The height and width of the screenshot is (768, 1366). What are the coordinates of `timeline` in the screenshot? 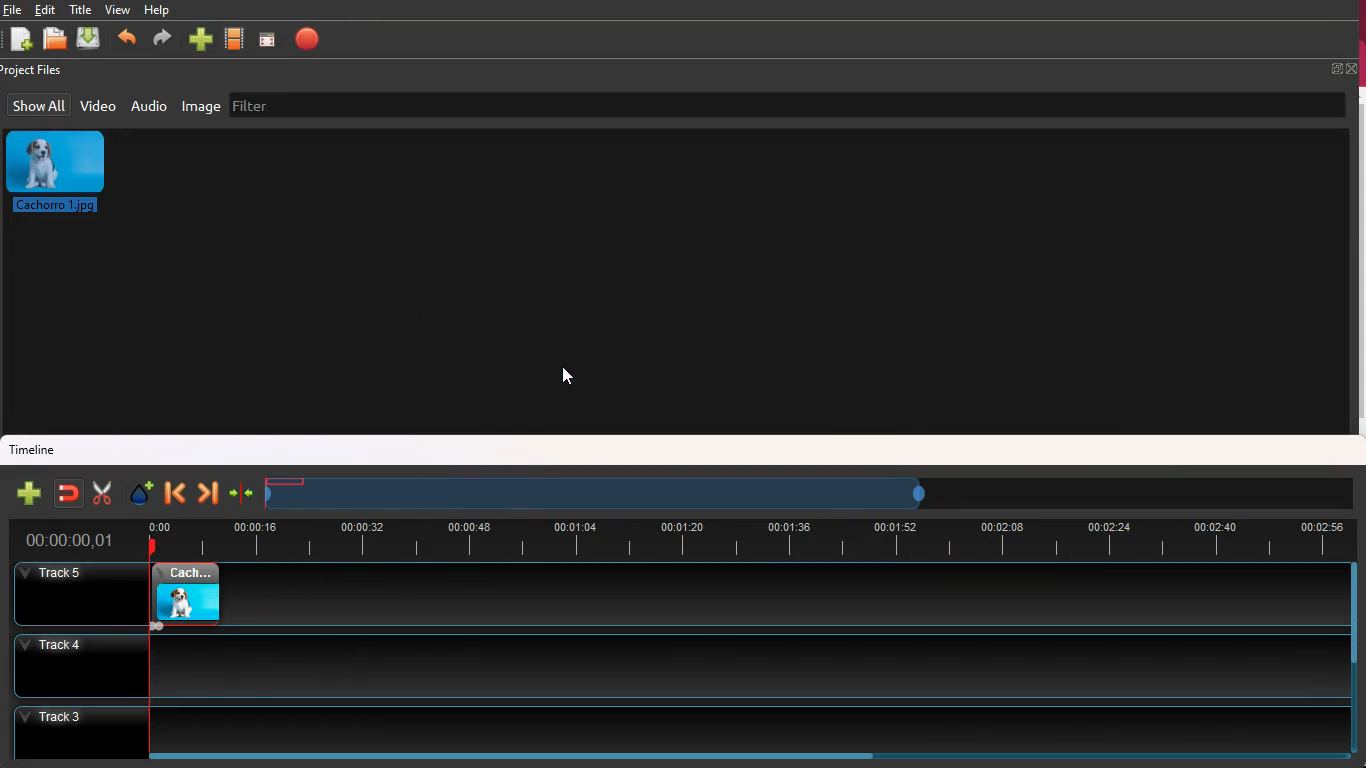 It's located at (36, 449).